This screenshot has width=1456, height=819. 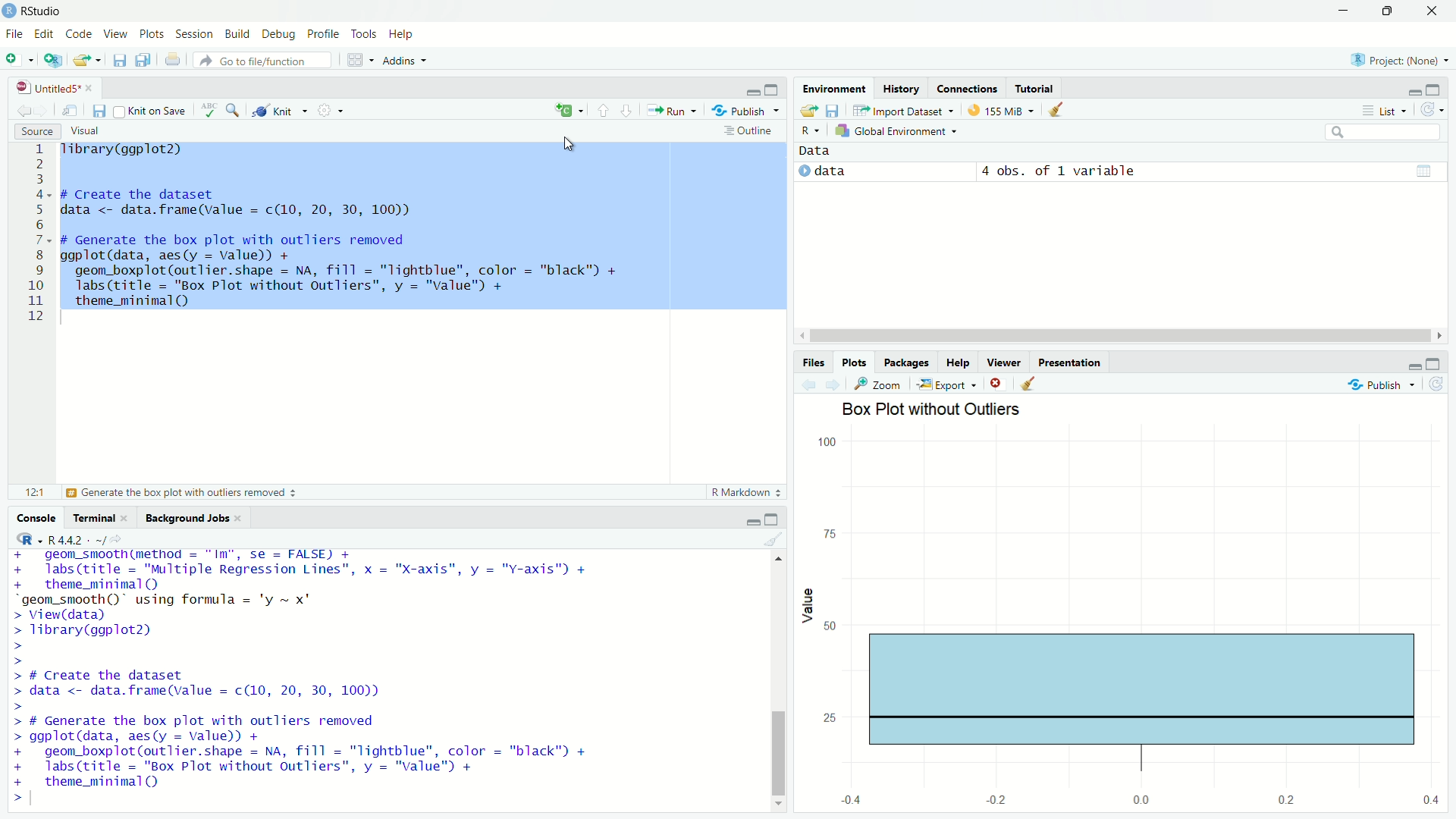 What do you see at coordinates (364, 34) in the screenshot?
I see `Tools` at bounding box center [364, 34].